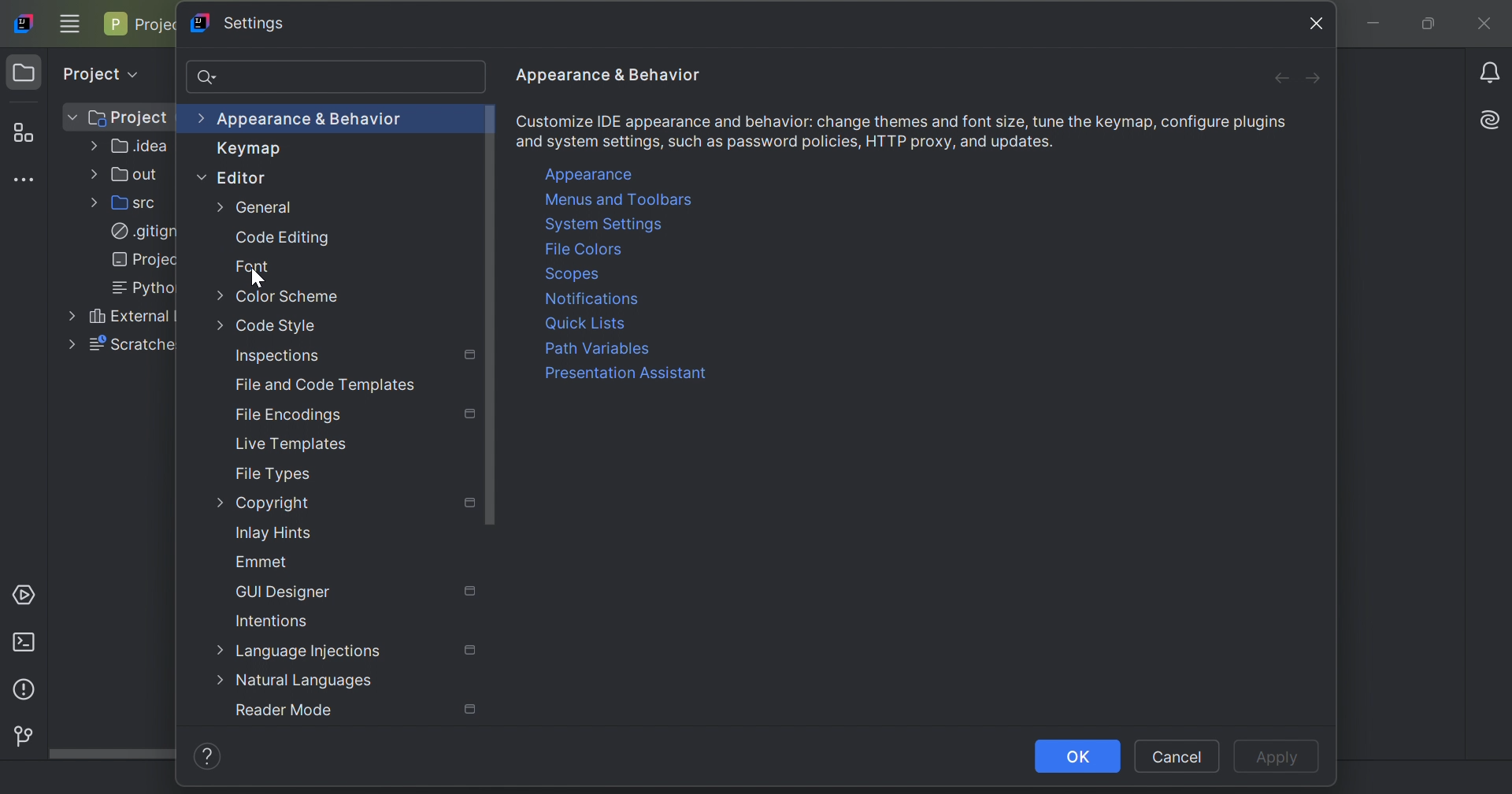 This screenshot has width=1512, height=794. What do you see at coordinates (28, 642) in the screenshot?
I see `Terminal` at bounding box center [28, 642].